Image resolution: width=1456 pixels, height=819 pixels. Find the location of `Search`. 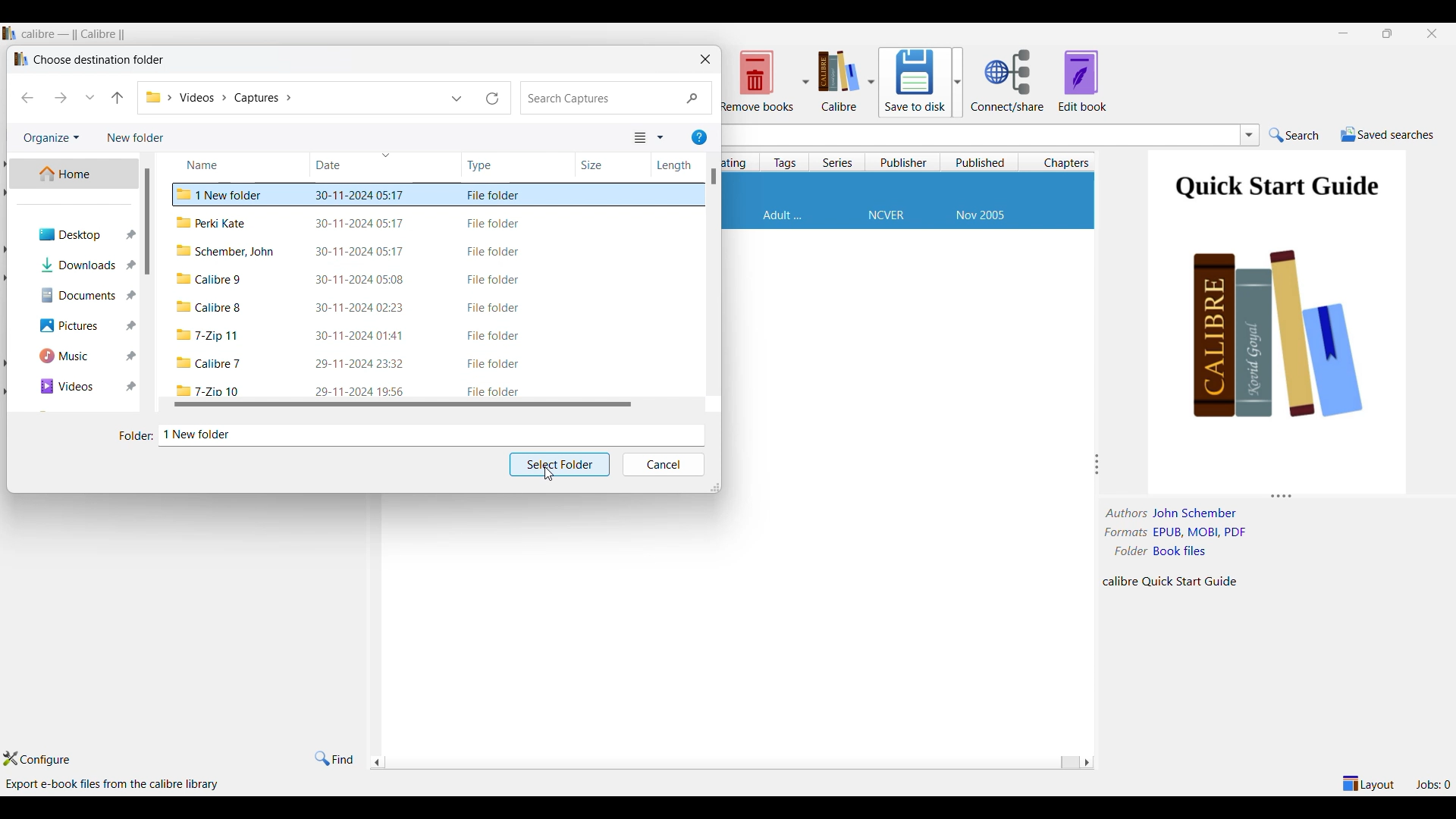

Search is located at coordinates (617, 99).